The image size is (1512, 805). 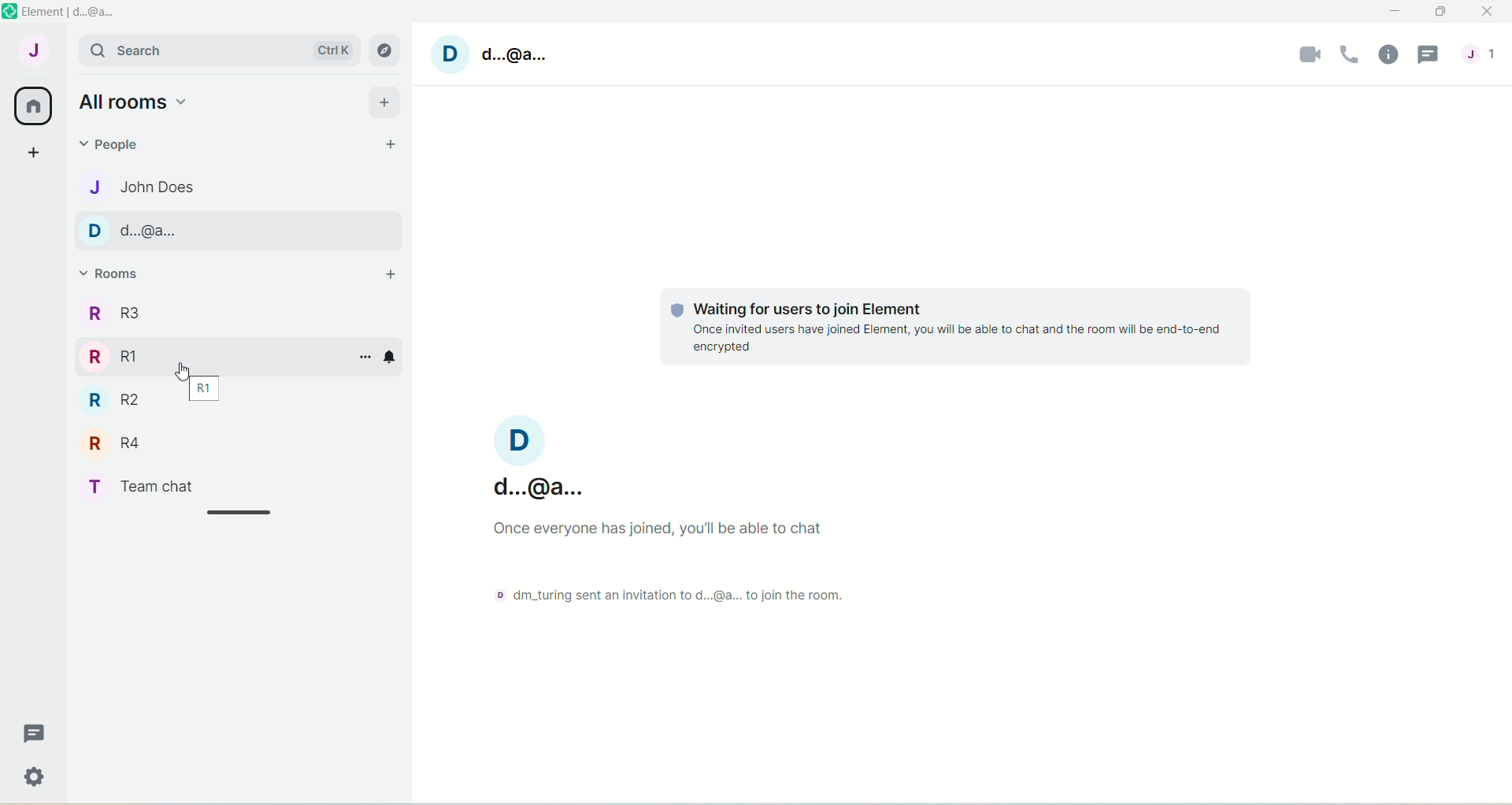 What do you see at coordinates (325, 50) in the screenshot?
I see `Ctrl K` at bounding box center [325, 50].